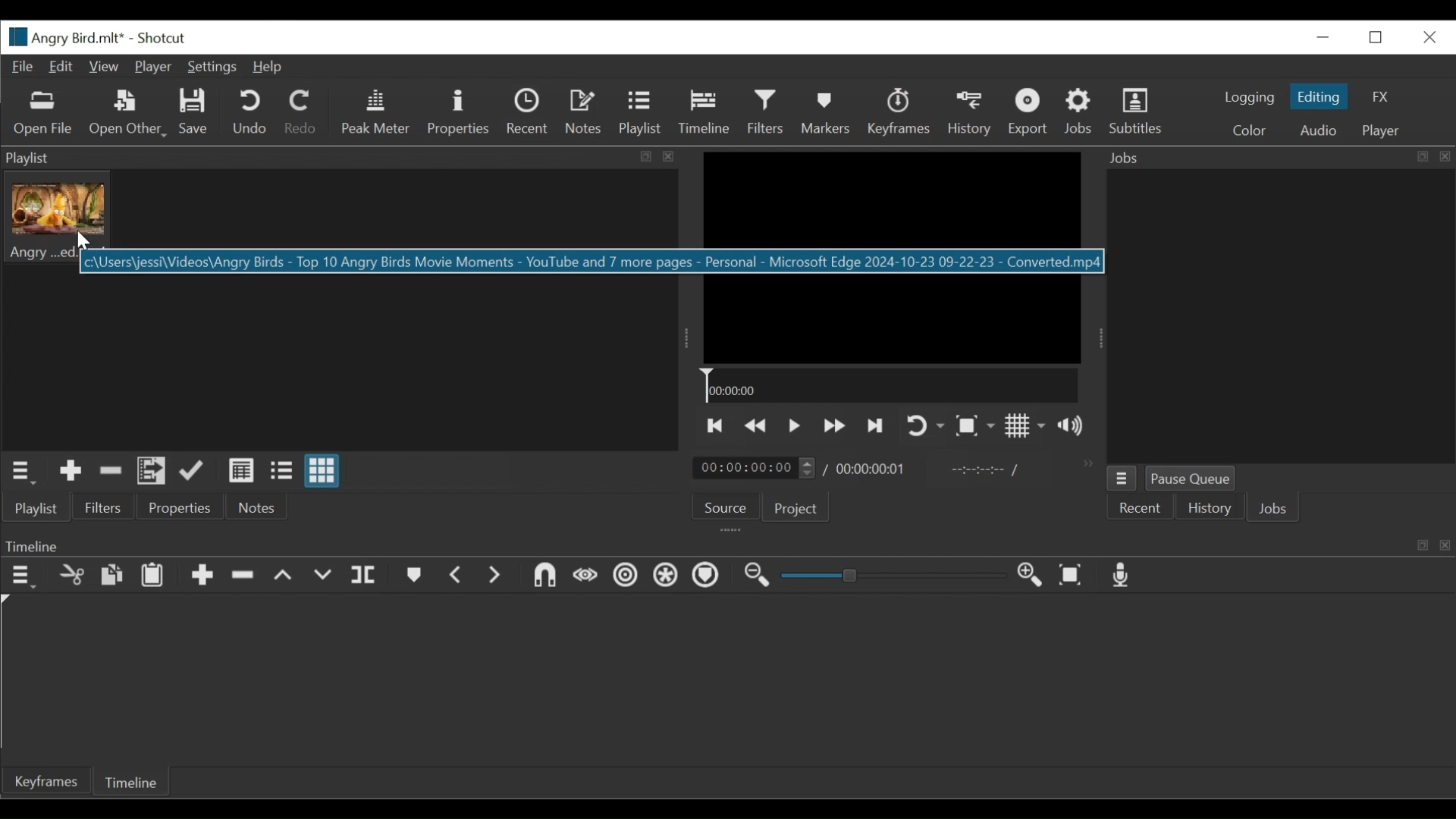 The height and width of the screenshot is (819, 1456). What do you see at coordinates (128, 115) in the screenshot?
I see `Open Other` at bounding box center [128, 115].